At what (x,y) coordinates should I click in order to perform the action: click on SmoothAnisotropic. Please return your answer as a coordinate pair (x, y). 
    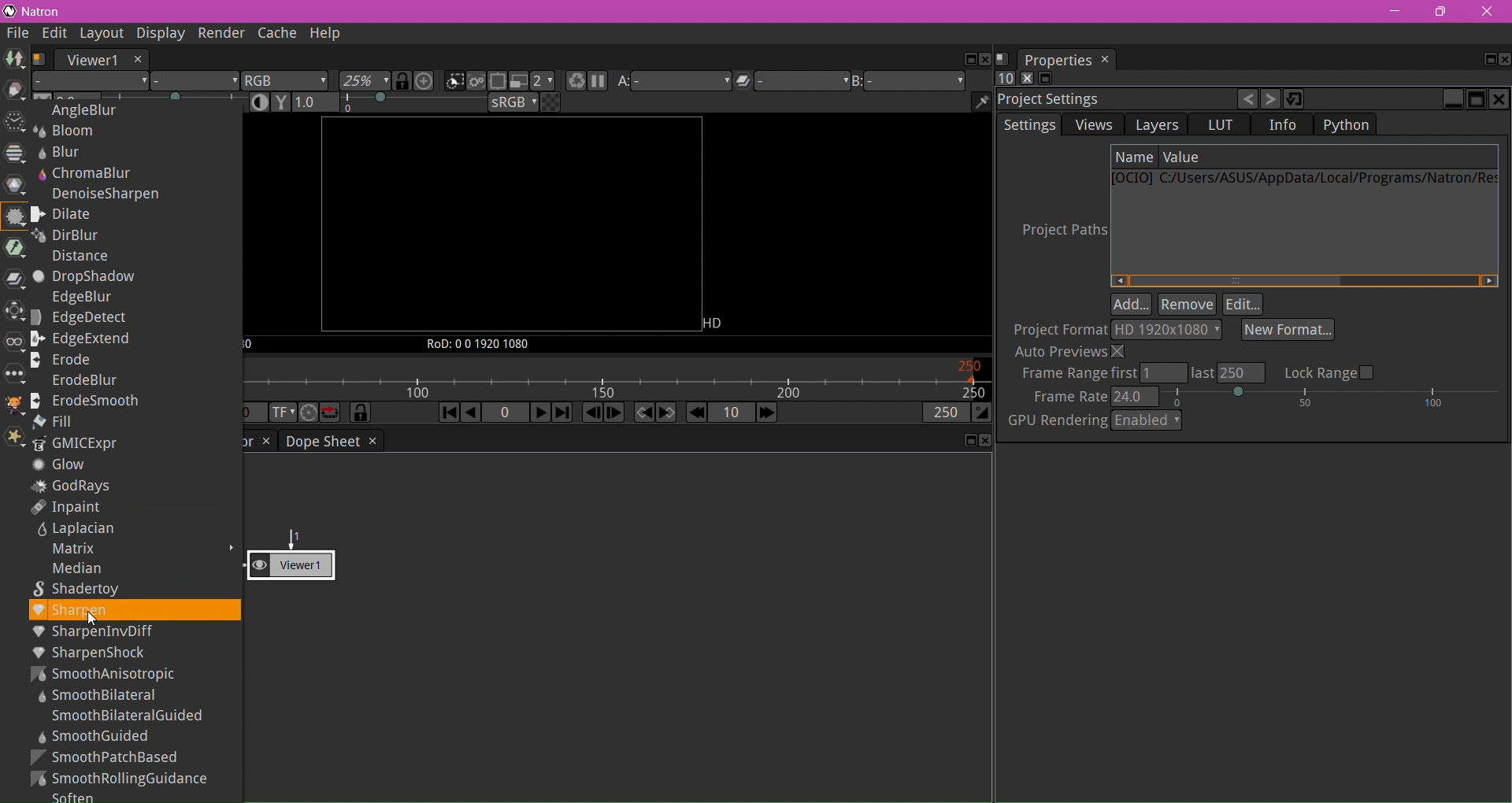
    Looking at the image, I should click on (114, 673).